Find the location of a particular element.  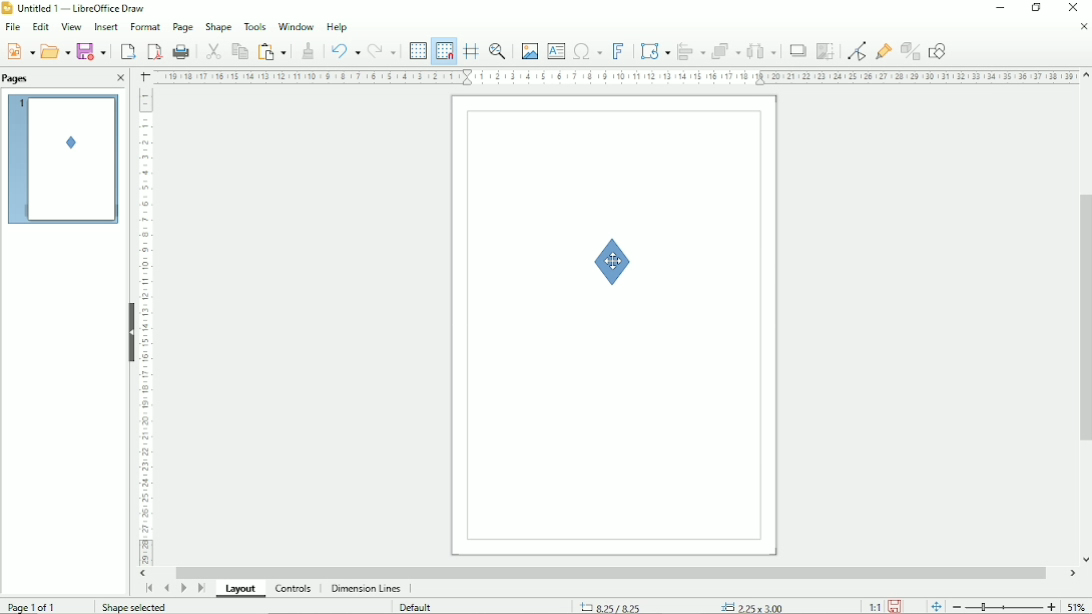

New is located at coordinates (19, 50).